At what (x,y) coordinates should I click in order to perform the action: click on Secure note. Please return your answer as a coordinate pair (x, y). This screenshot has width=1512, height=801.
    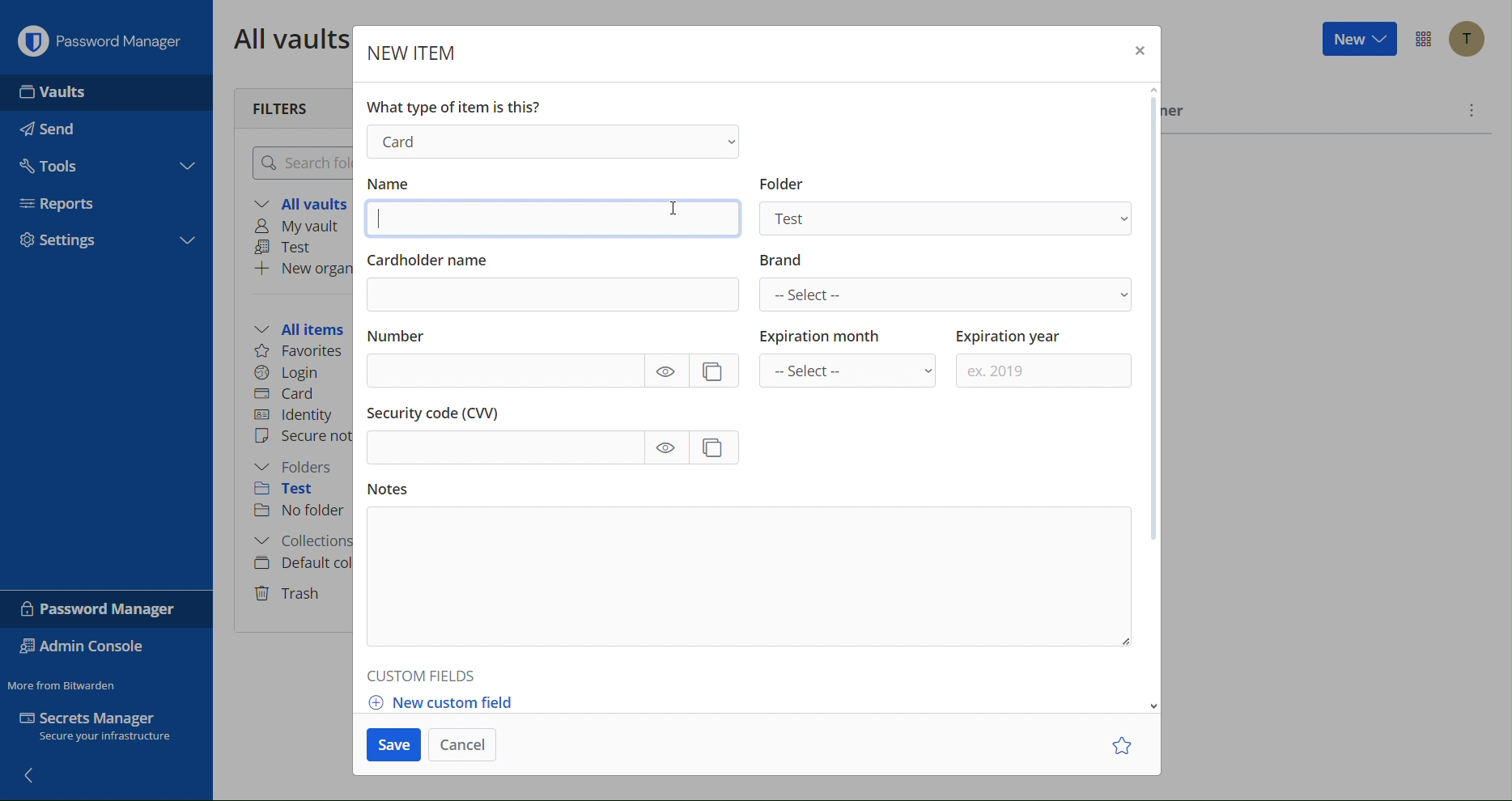
    Looking at the image, I should click on (298, 439).